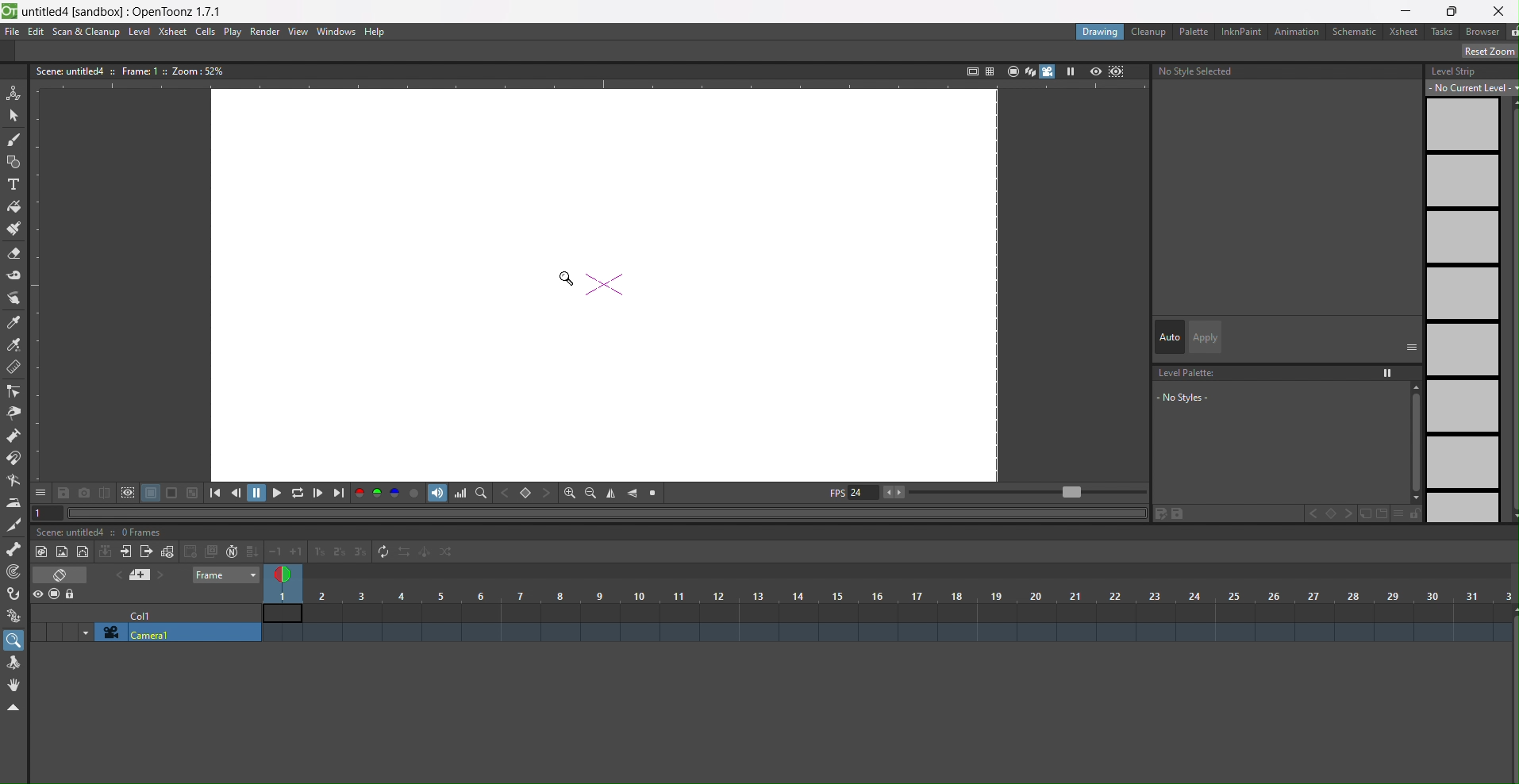 This screenshot has height=784, width=1519. What do you see at coordinates (360, 494) in the screenshot?
I see `red` at bounding box center [360, 494].